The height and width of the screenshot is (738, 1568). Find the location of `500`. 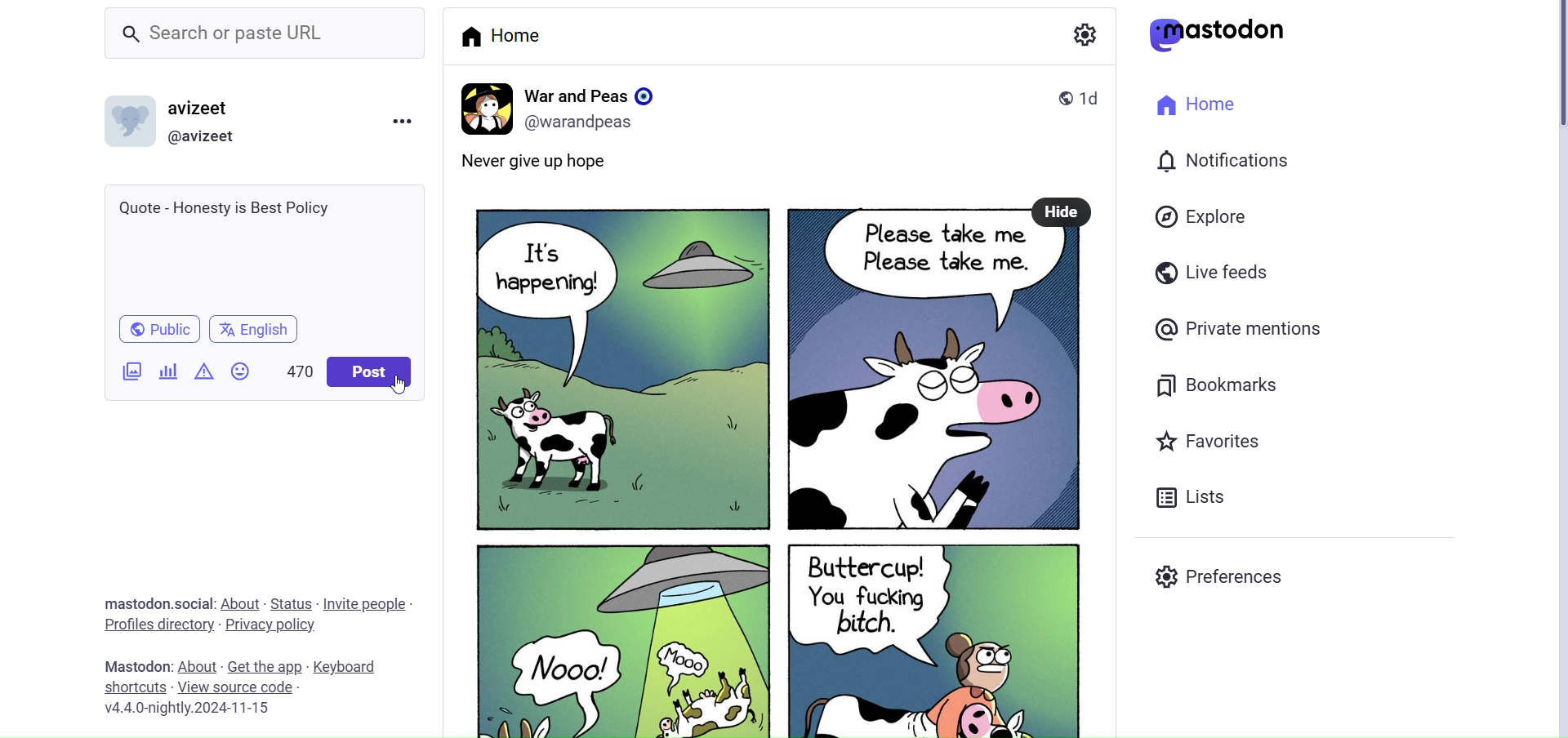

500 is located at coordinates (292, 367).